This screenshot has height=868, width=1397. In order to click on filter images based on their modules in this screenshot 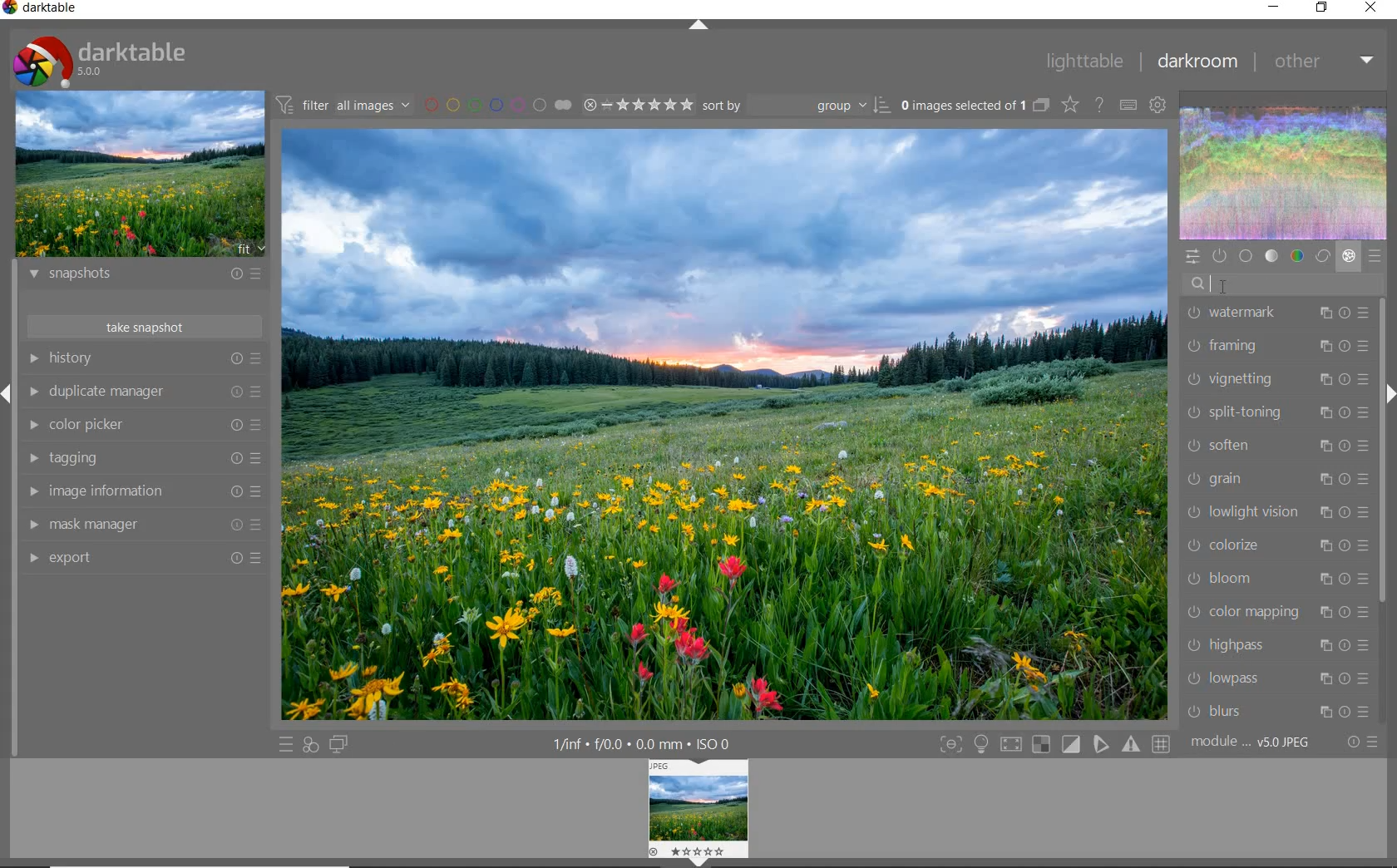, I will do `click(345, 104)`.